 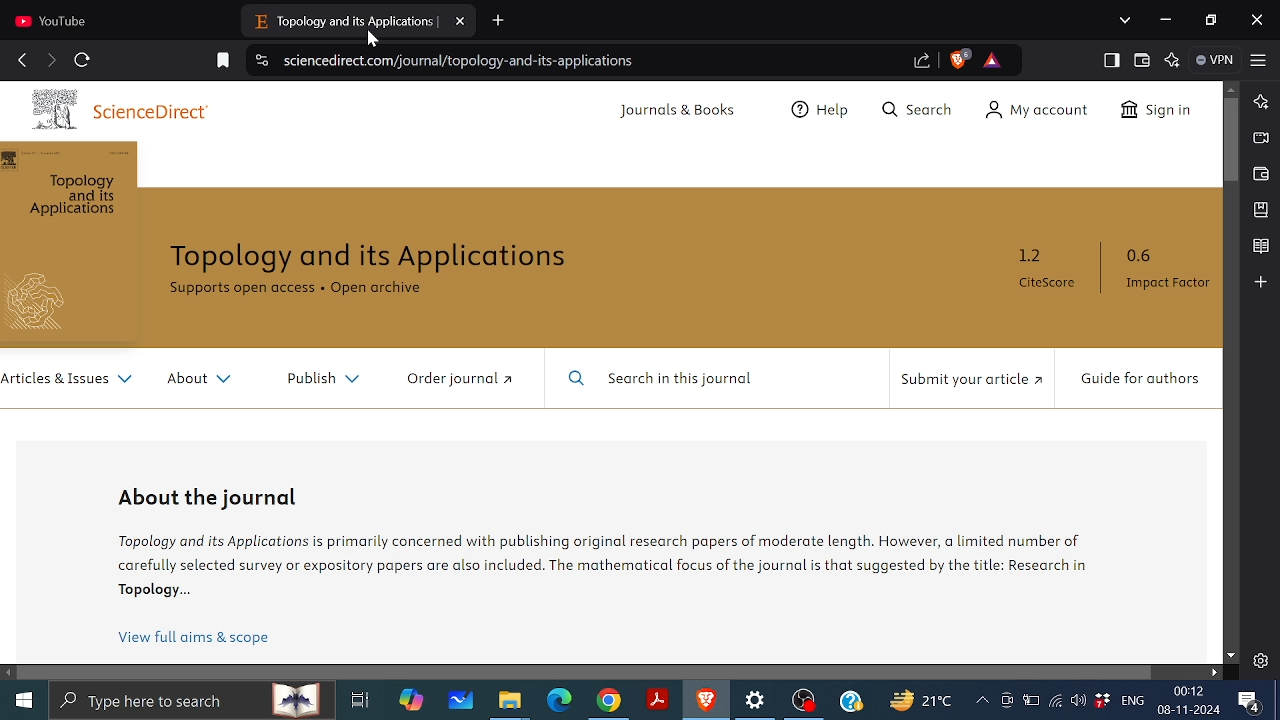 I want to click on Notifications, so click(x=1250, y=702).